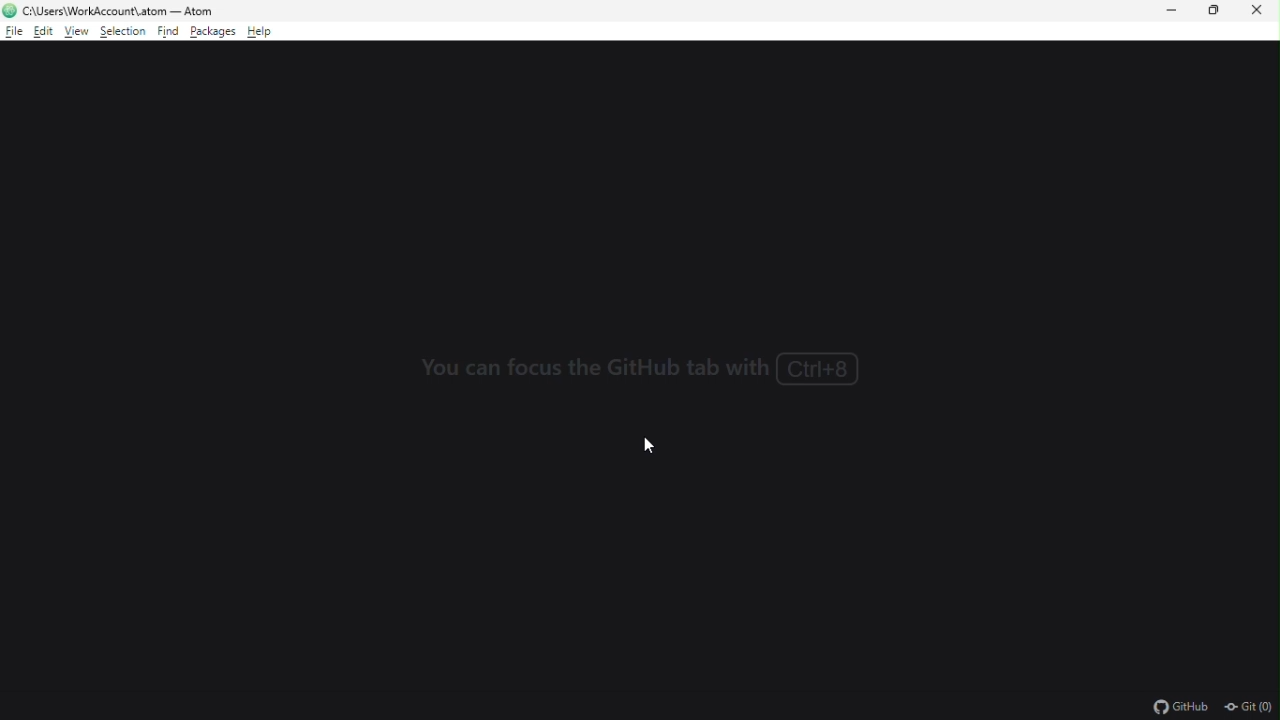  I want to click on restore, so click(1214, 11).